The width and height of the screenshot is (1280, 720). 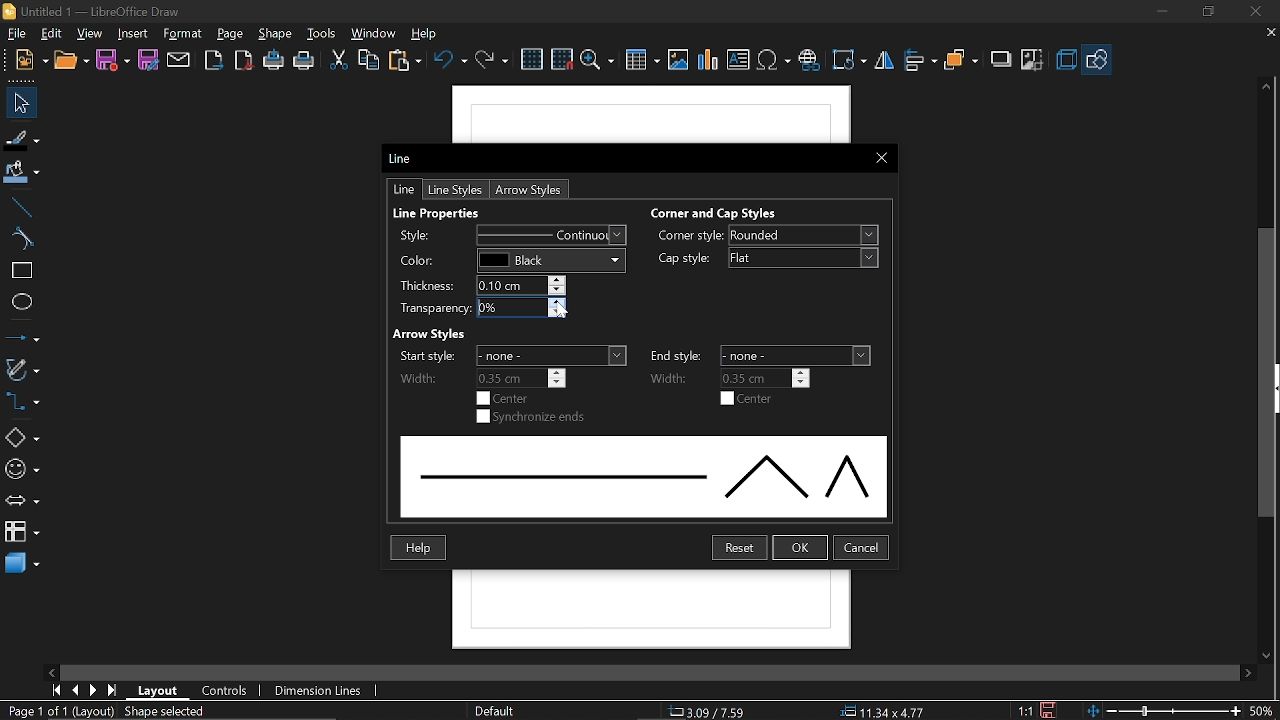 What do you see at coordinates (405, 189) in the screenshot?
I see `Line` at bounding box center [405, 189].